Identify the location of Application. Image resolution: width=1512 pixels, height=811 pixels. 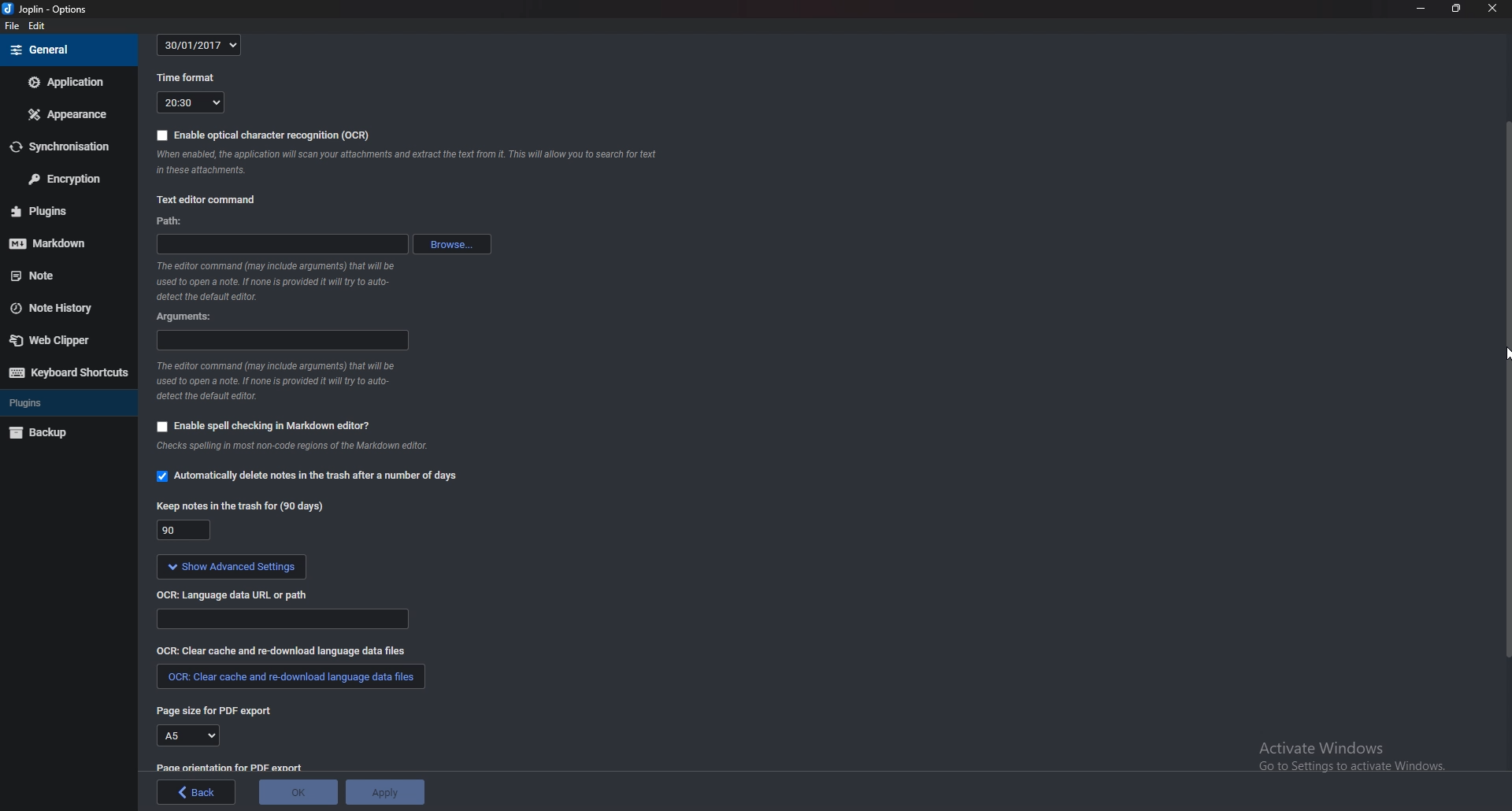
(67, 83).